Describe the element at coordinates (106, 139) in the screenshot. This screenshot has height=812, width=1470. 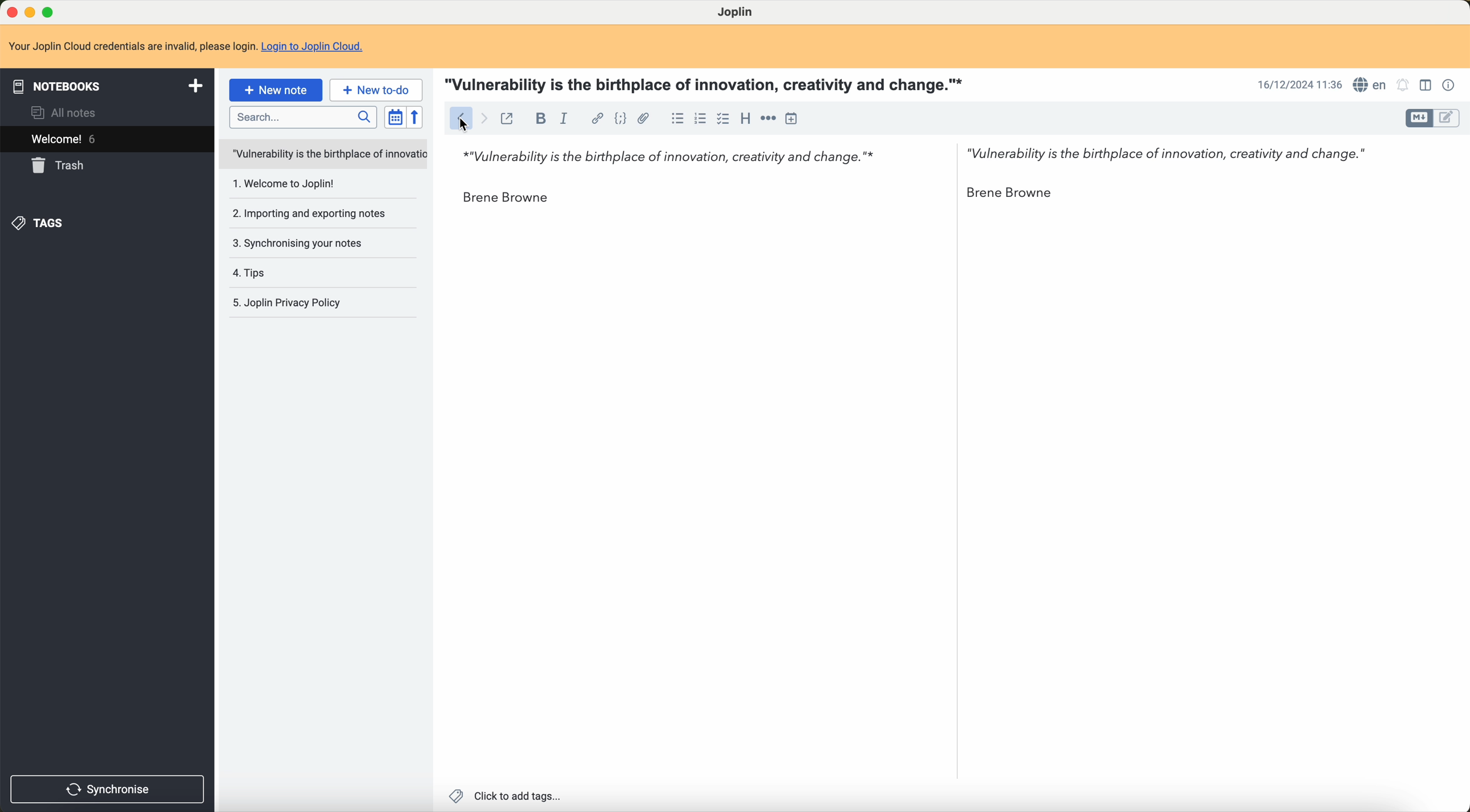
I see `welcome` at that location.